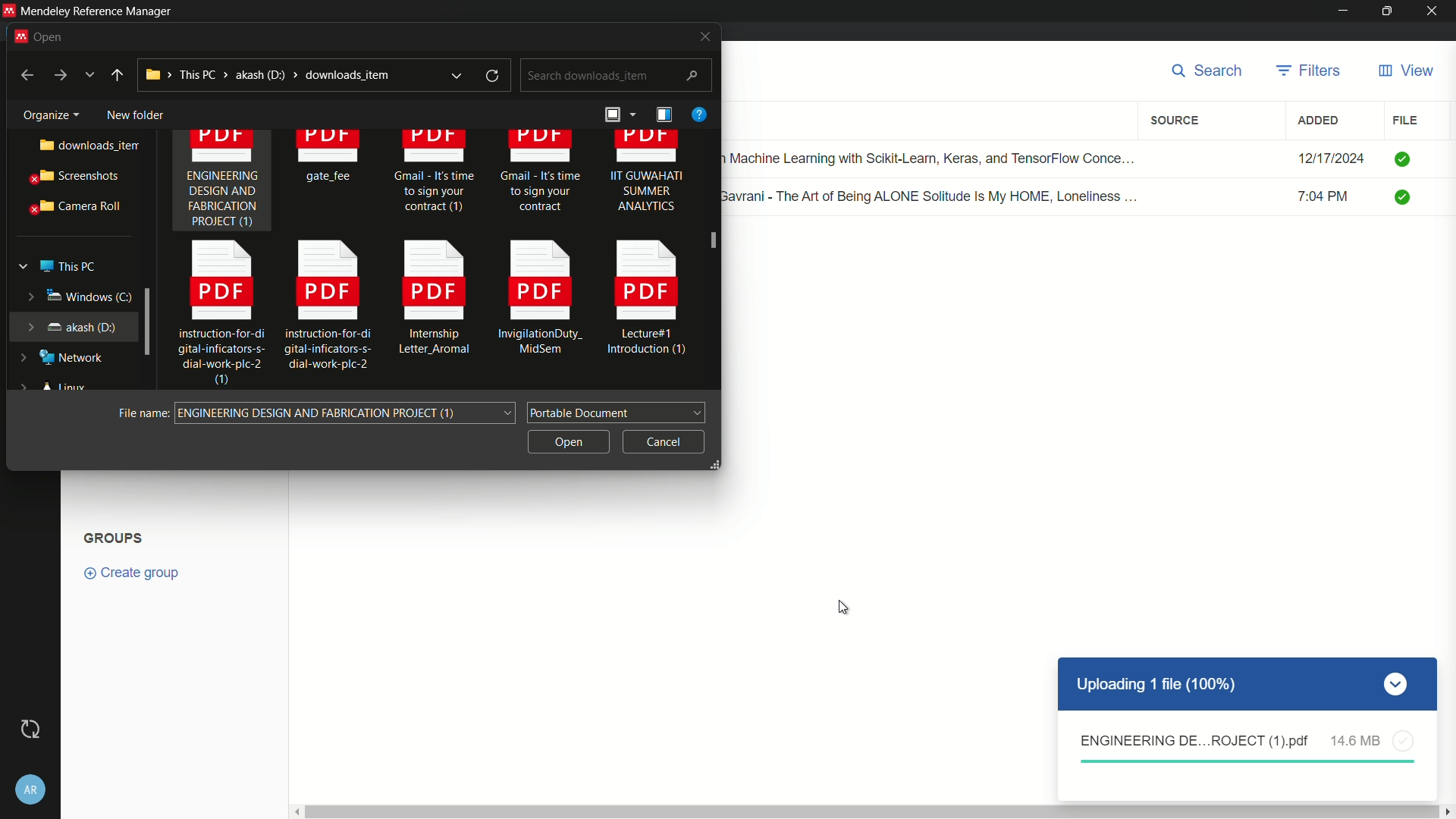 The width and height of the screenshot is (1456, 819). Describe the element at coordinates (1407, 199) in the screenshot. I see `check` at that location.